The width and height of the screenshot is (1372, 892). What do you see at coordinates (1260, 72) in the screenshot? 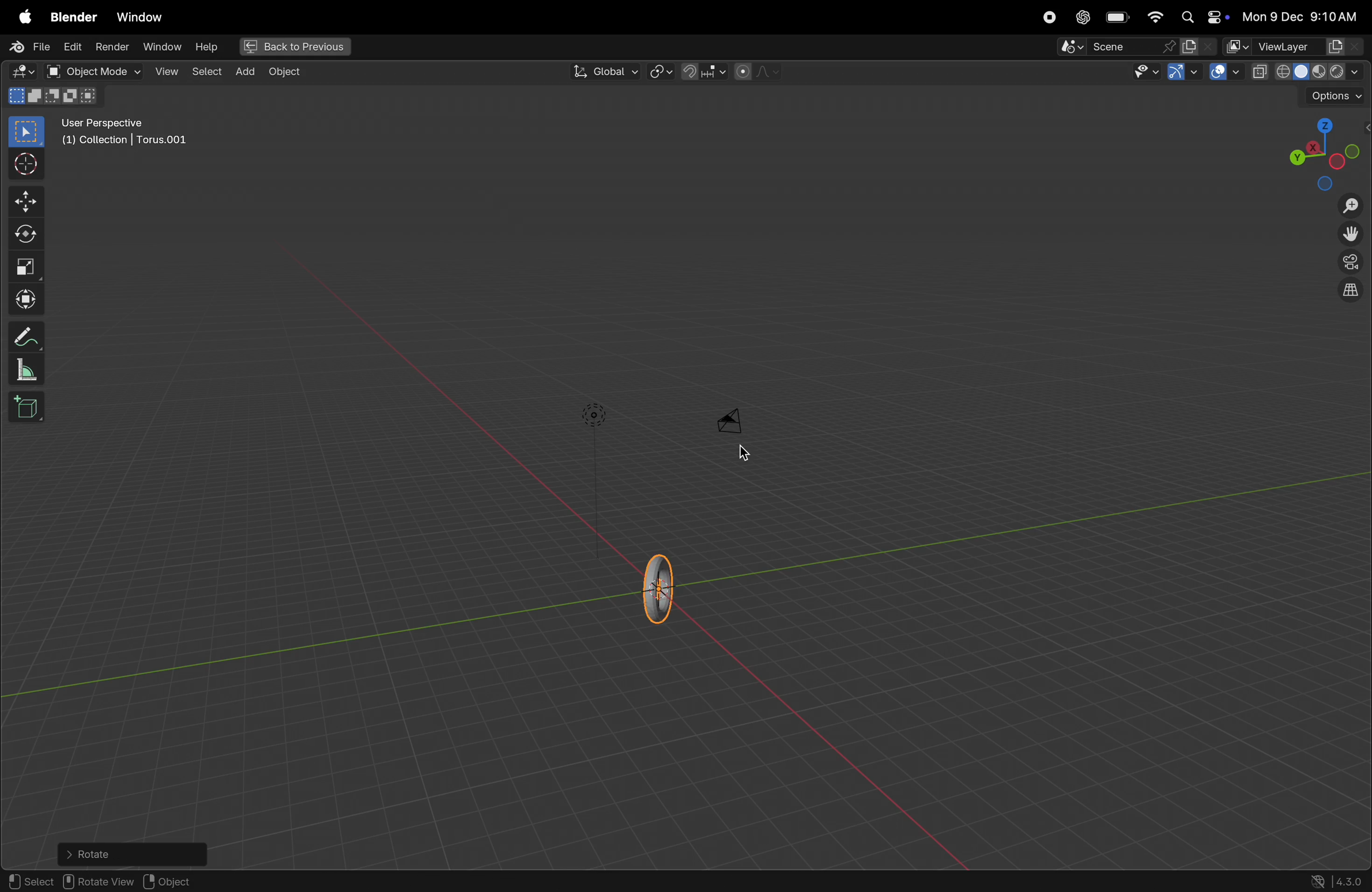
I see `copy` at bounding box center [1260, 72].